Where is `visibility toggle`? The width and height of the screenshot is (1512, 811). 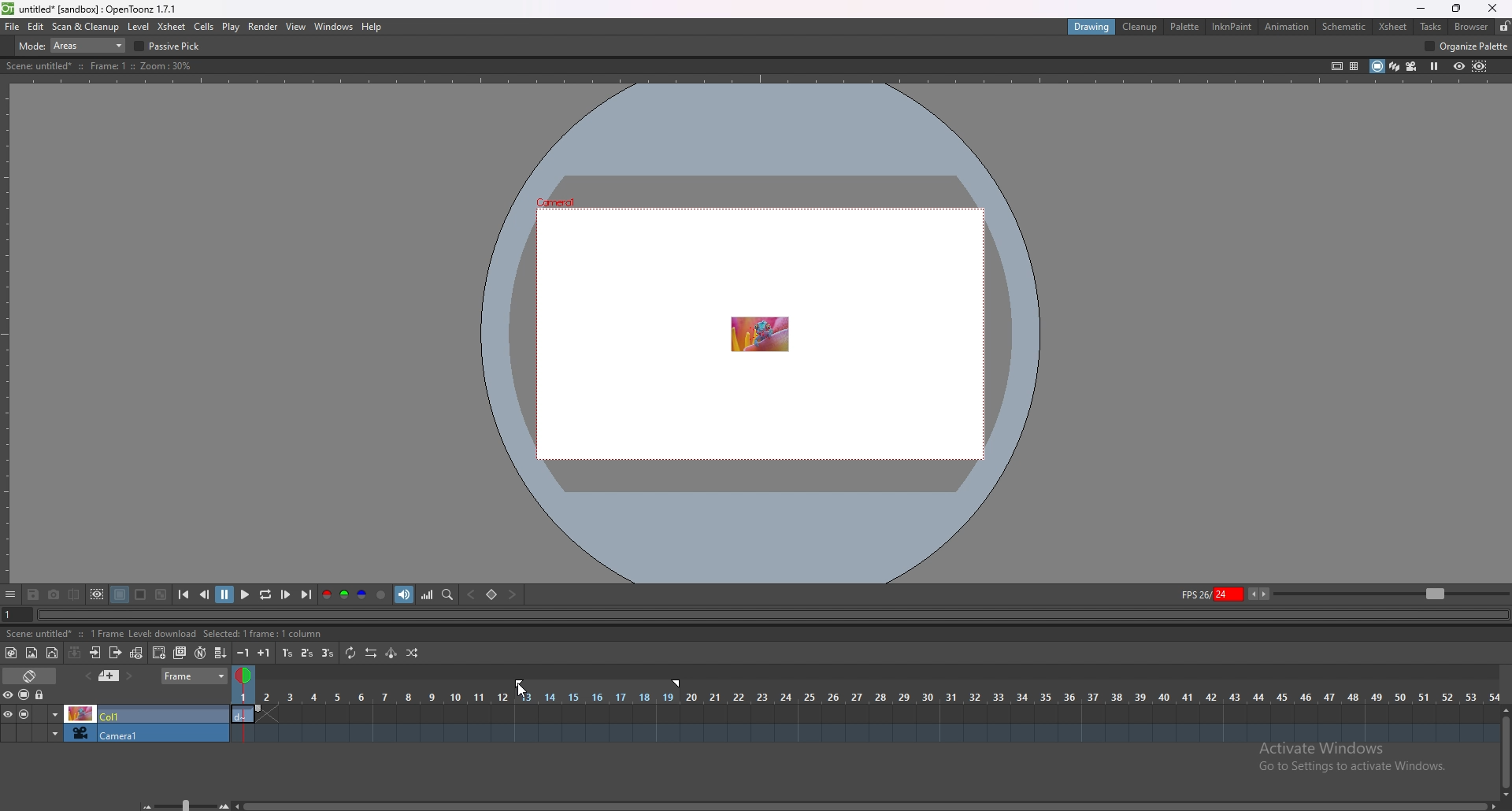 visibility toggle is located at coordinates (12, 695).